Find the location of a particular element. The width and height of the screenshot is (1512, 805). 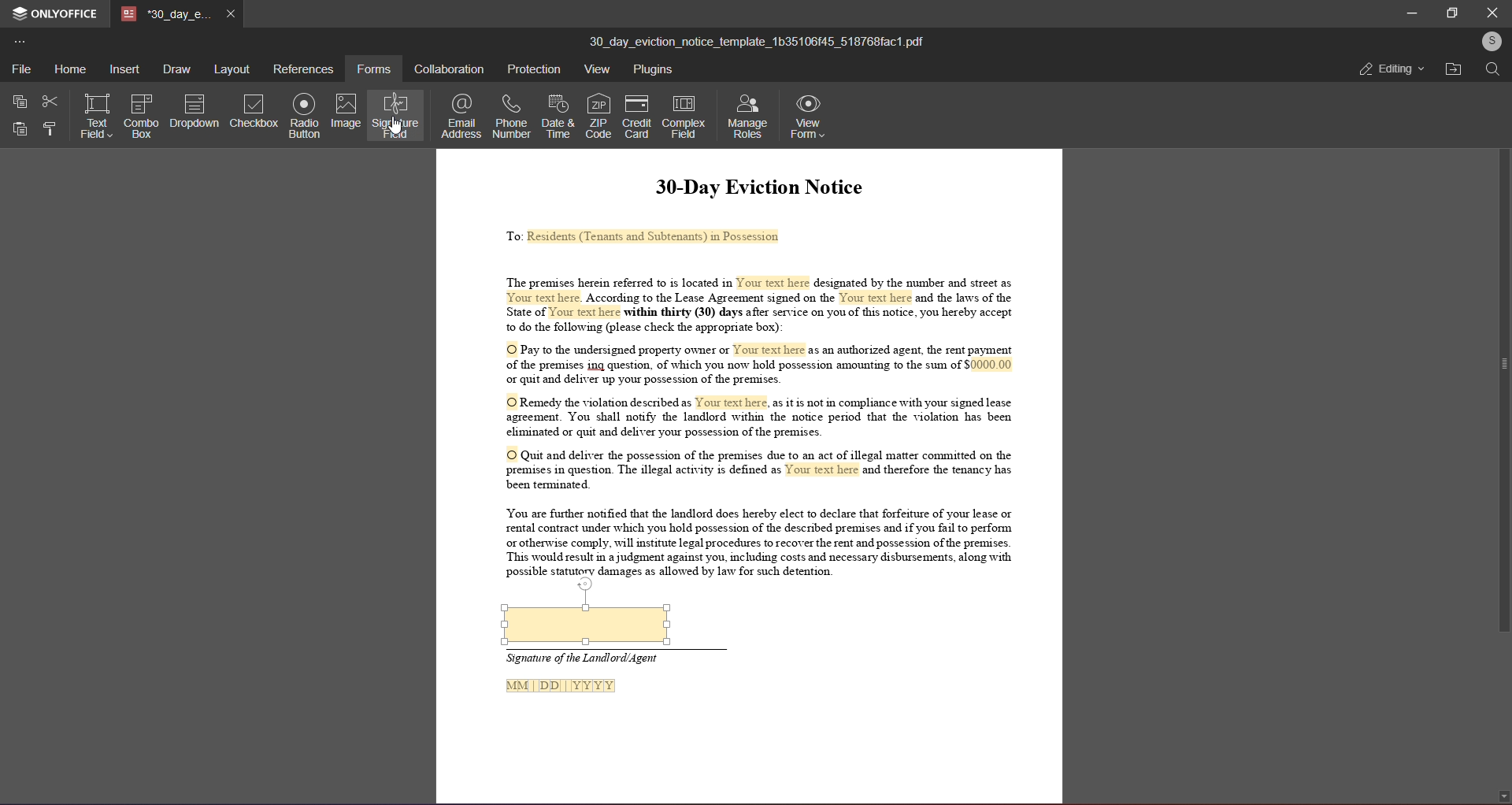

credit card is located at coordinates (635, 117).